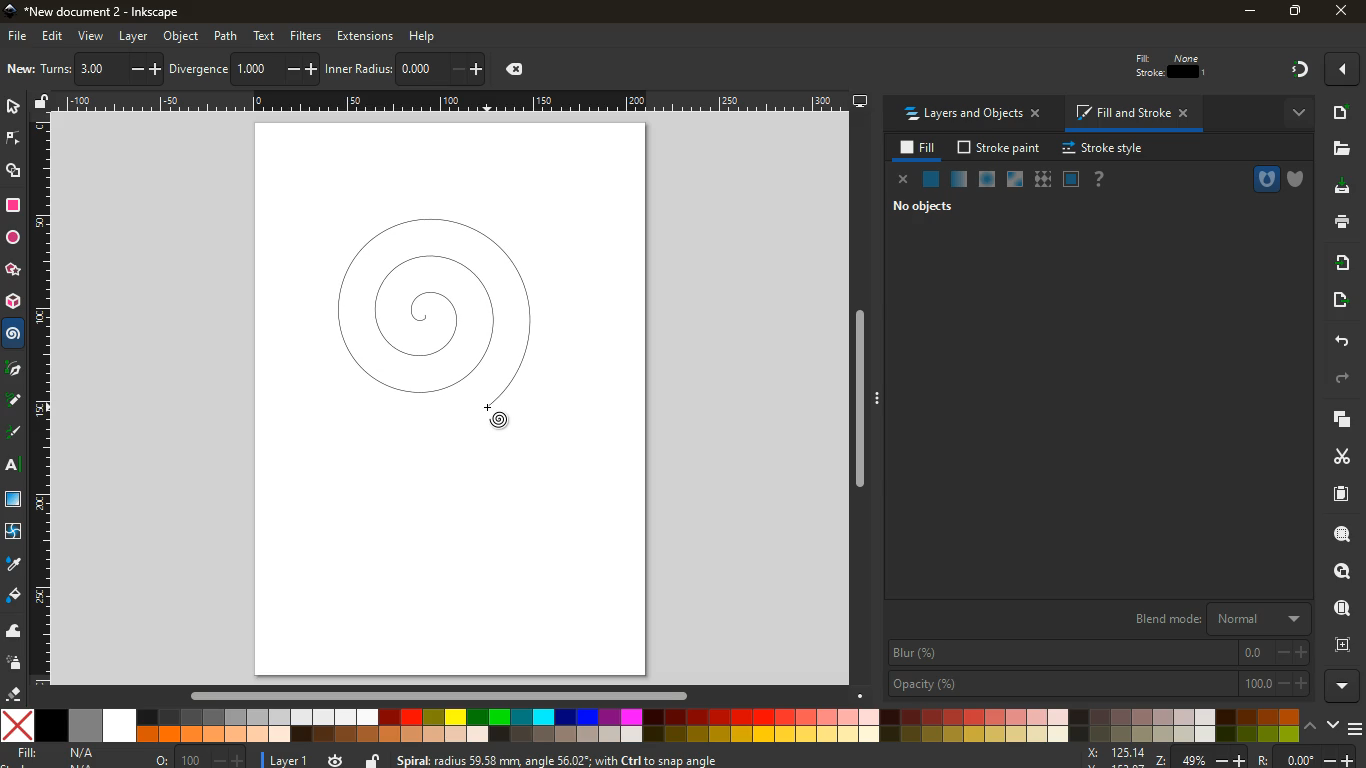  What do you see at coordinates (1017, 180) in the screenshot?
I see `glass` at bounding box center [1017, 180].